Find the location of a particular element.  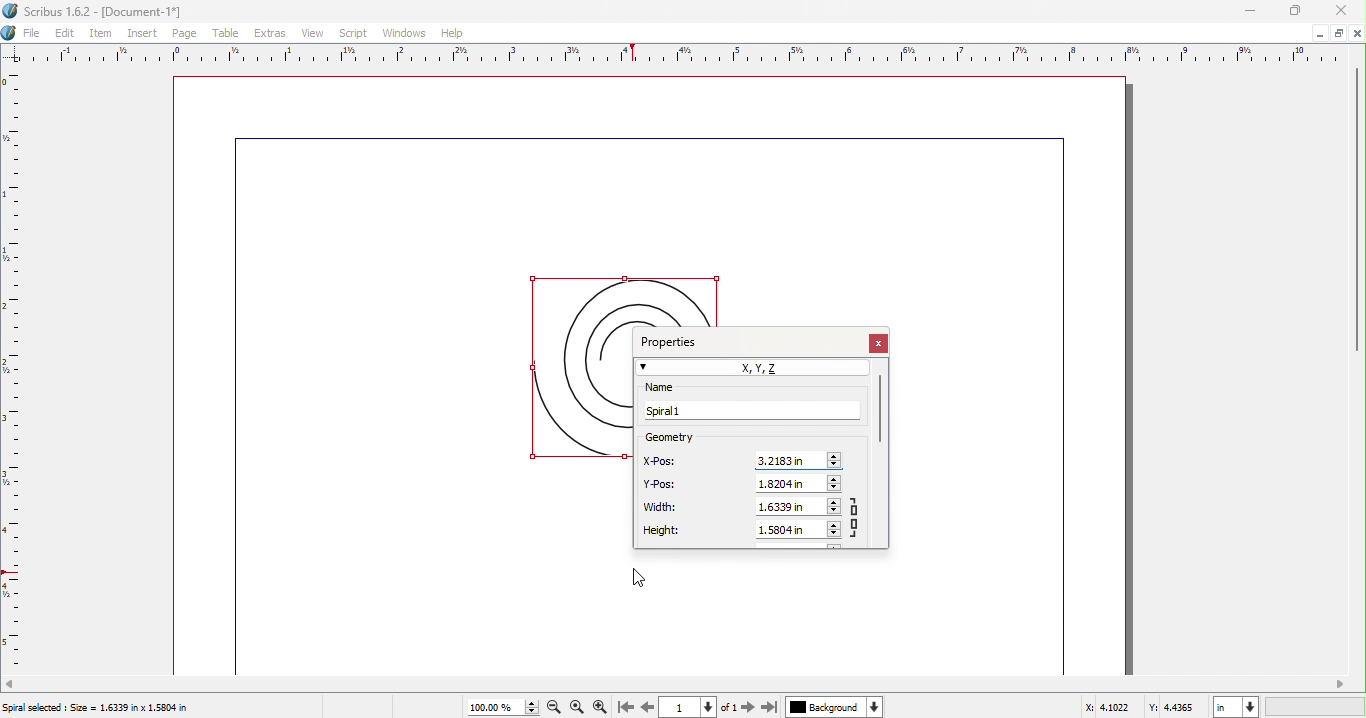

Y-pos is located at coordinates (662, 484).